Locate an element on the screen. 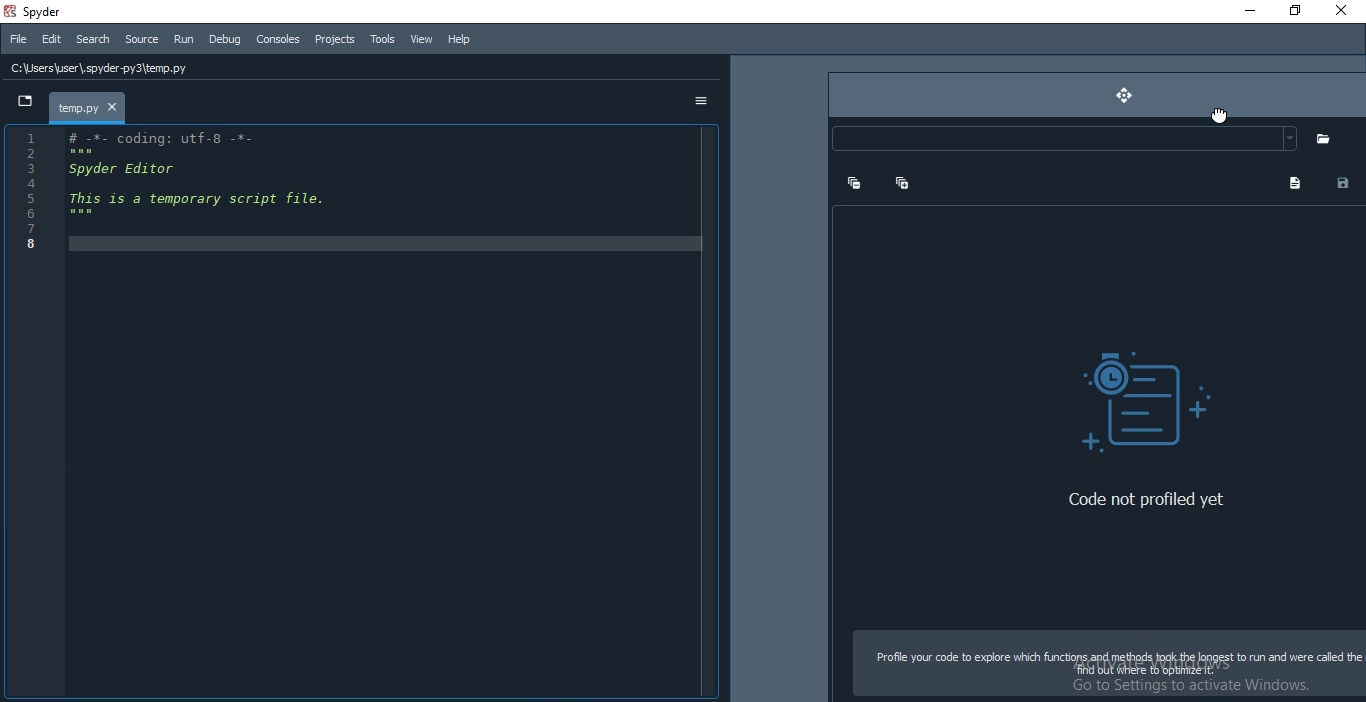  visual element is located at coordinates (1140, 401).